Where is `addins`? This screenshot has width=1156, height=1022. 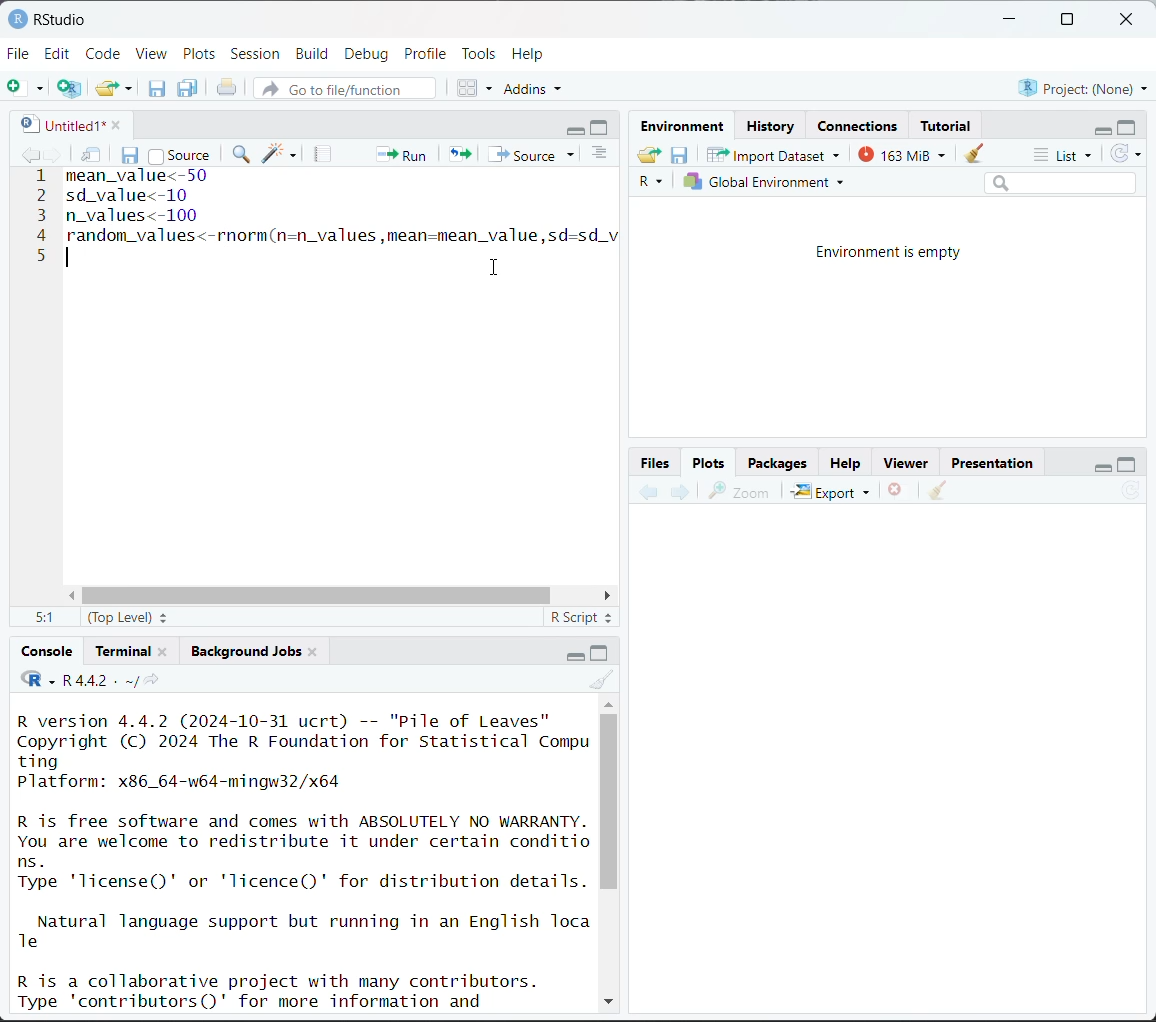 addins is located at coordinates (536, 88).